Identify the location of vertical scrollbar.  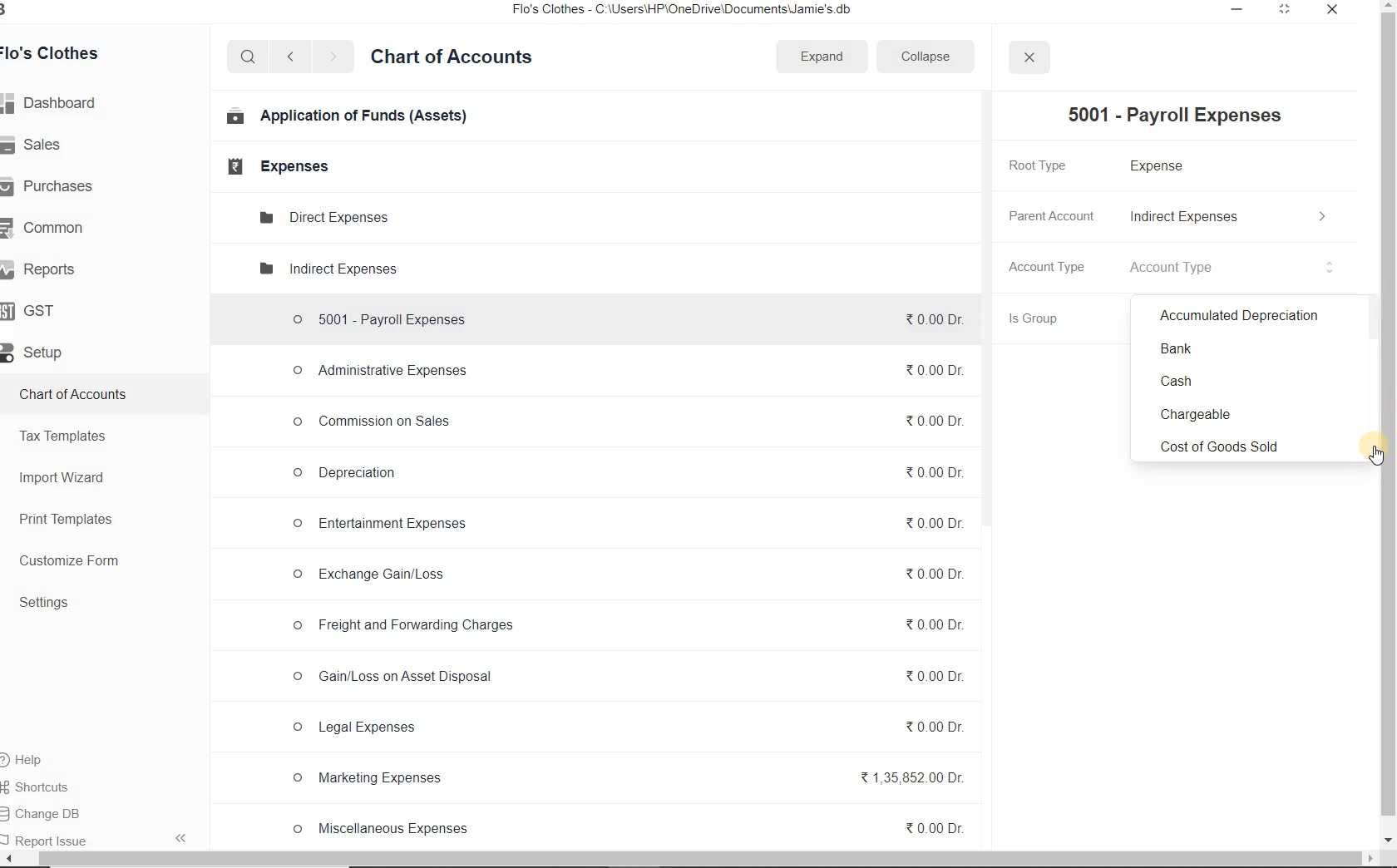
(1389, 414).